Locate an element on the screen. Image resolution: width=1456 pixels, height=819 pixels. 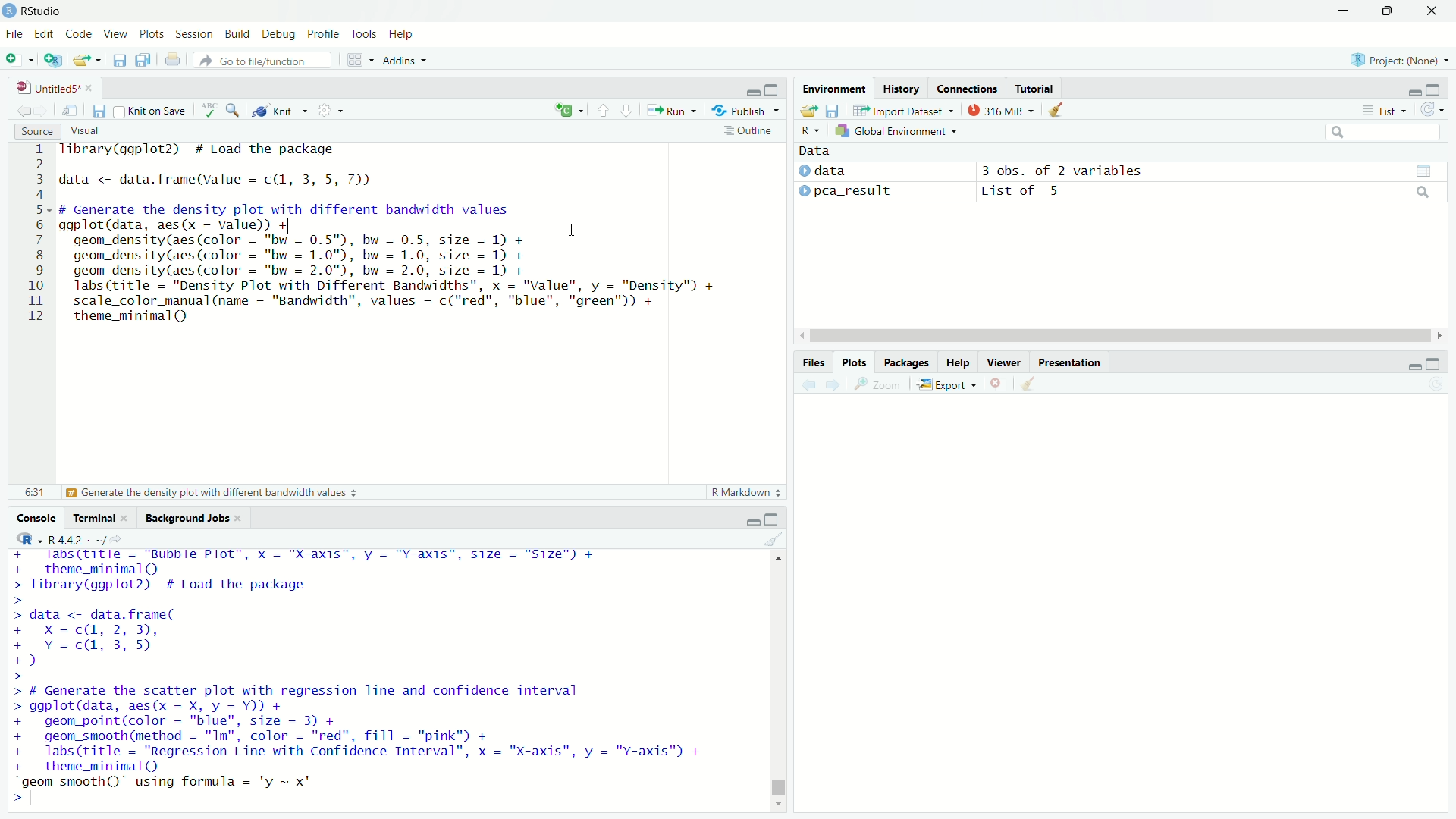
Tools is located at coordinates (364, 33).